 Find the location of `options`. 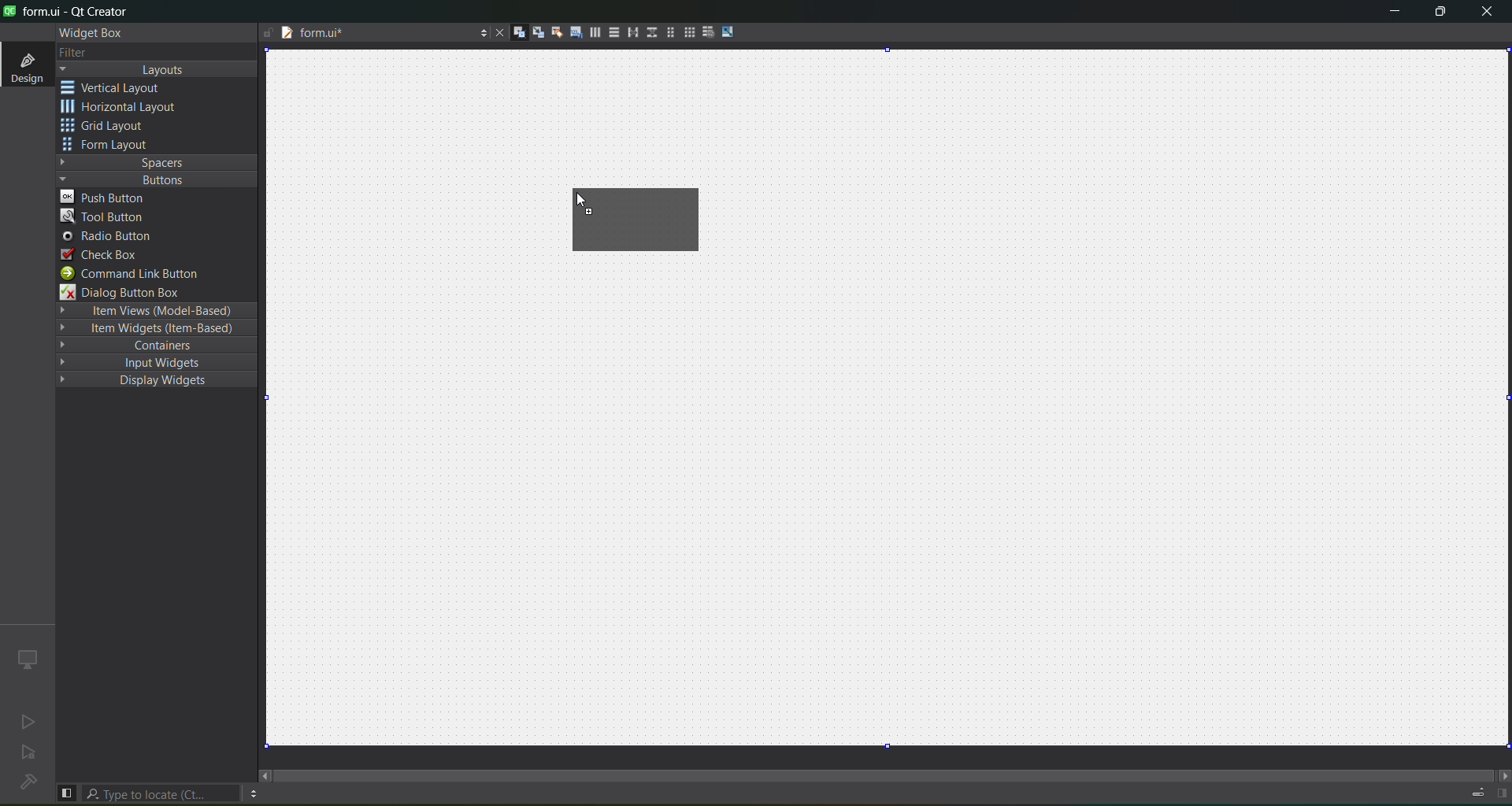

options is located at coordinates (480, 31).